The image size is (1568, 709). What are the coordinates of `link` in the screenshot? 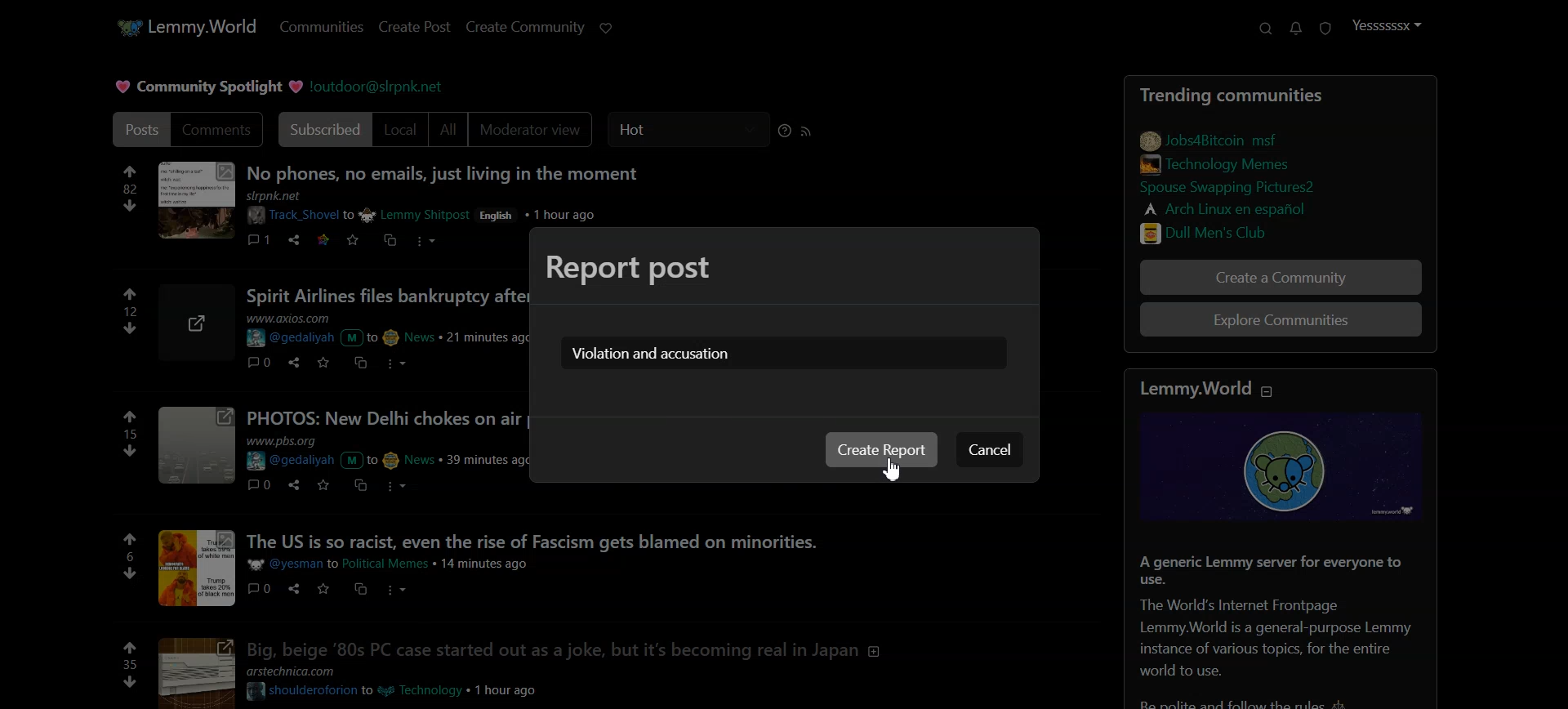 It's located at (1222, 163).